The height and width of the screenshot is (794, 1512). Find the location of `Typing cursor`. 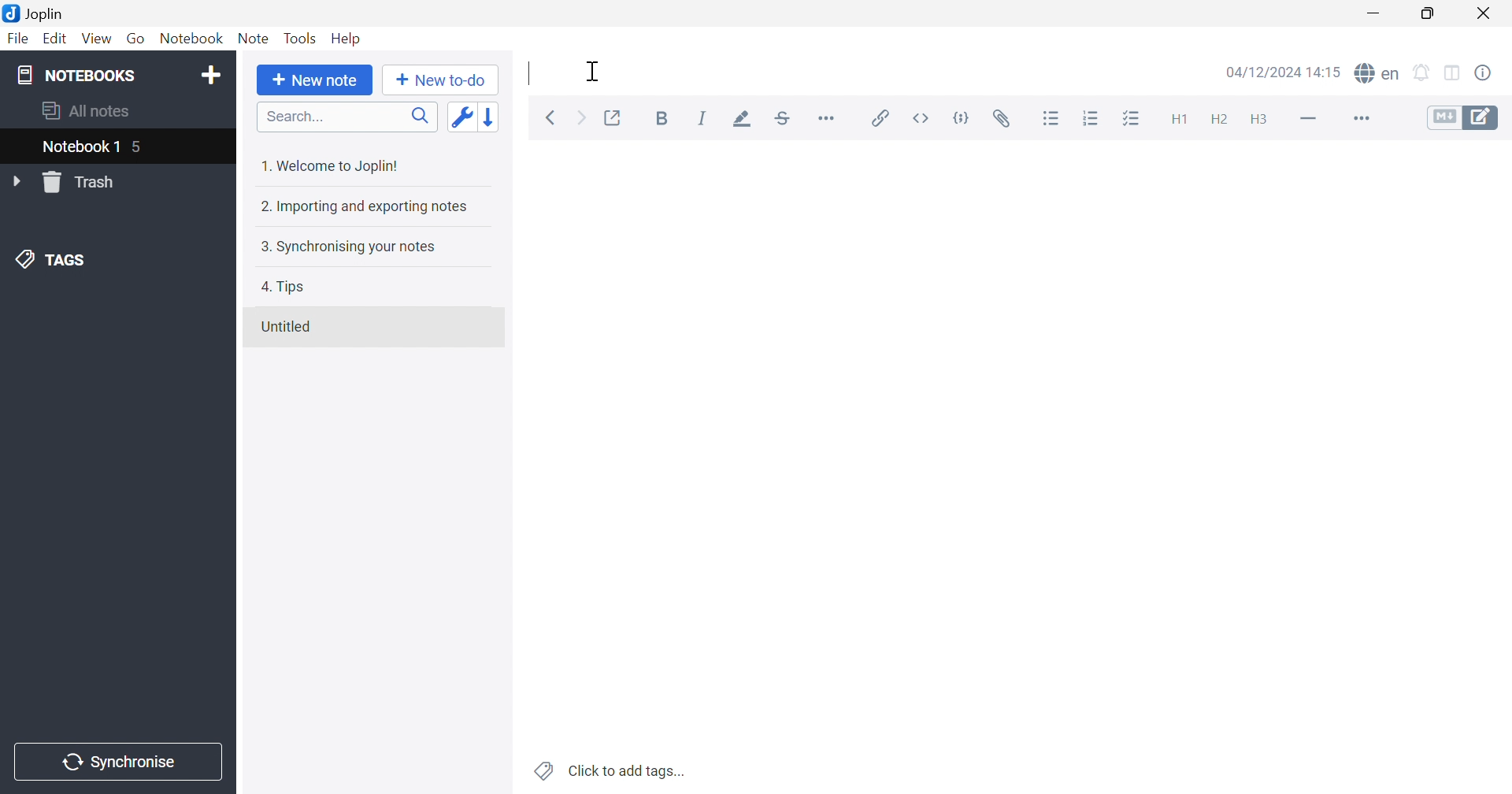

Typing cursor is located at coordinates (530, 74).